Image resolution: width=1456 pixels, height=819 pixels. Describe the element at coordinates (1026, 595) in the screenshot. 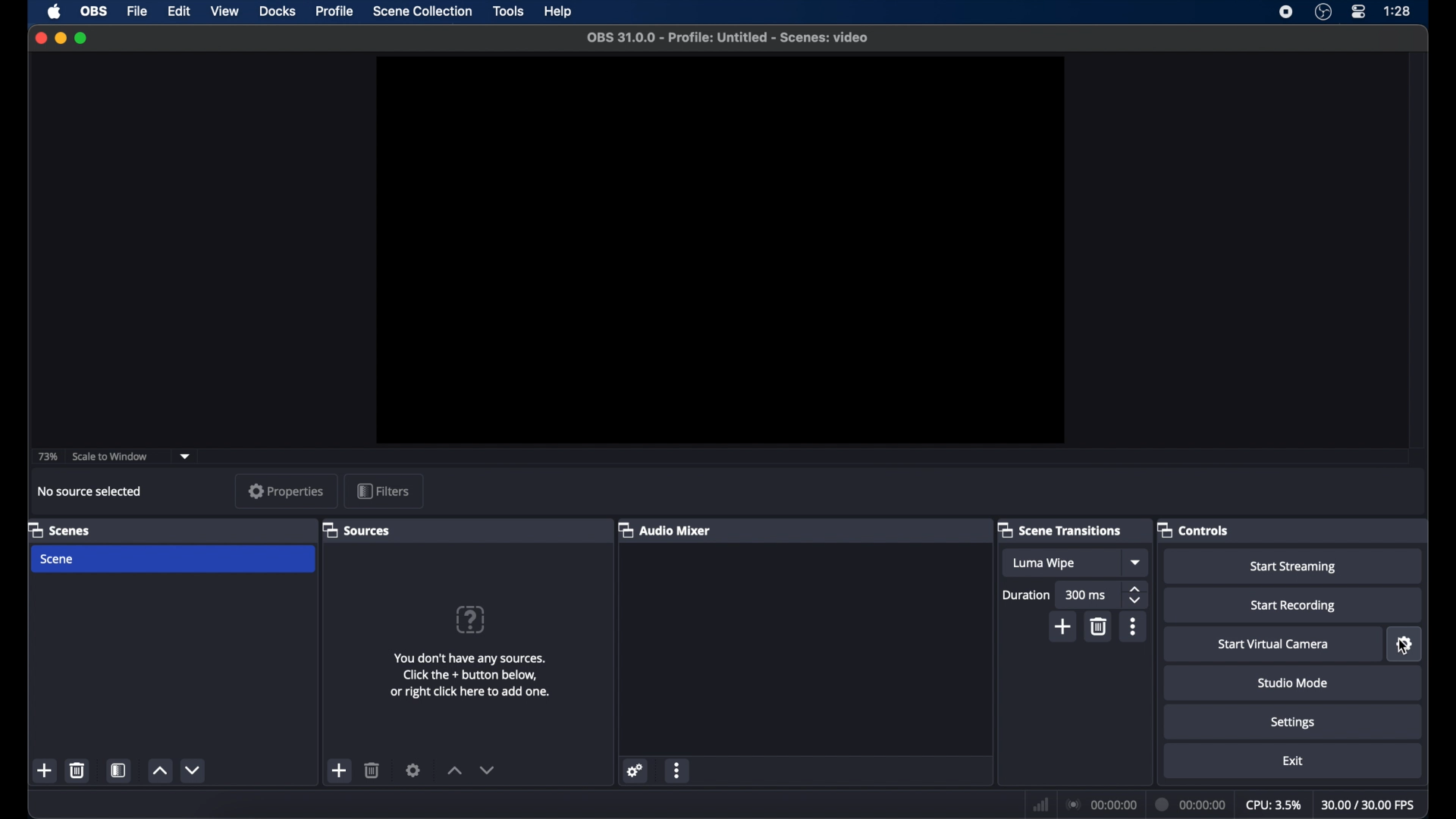

I see `durations` at that location.